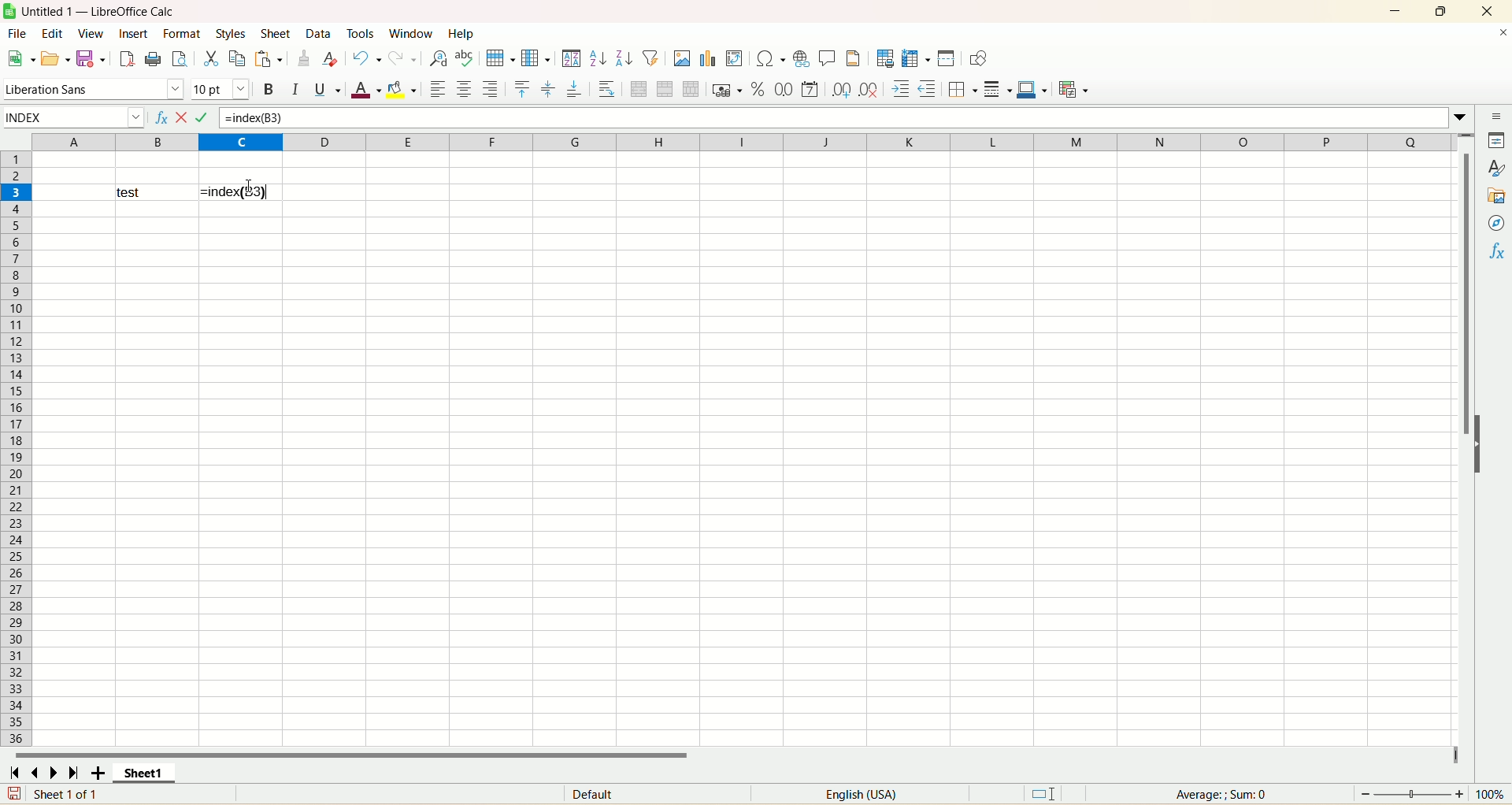 The height and width of the screenshot is (805, 1512). I want to click on sidebar menu, so click(1495, 116).